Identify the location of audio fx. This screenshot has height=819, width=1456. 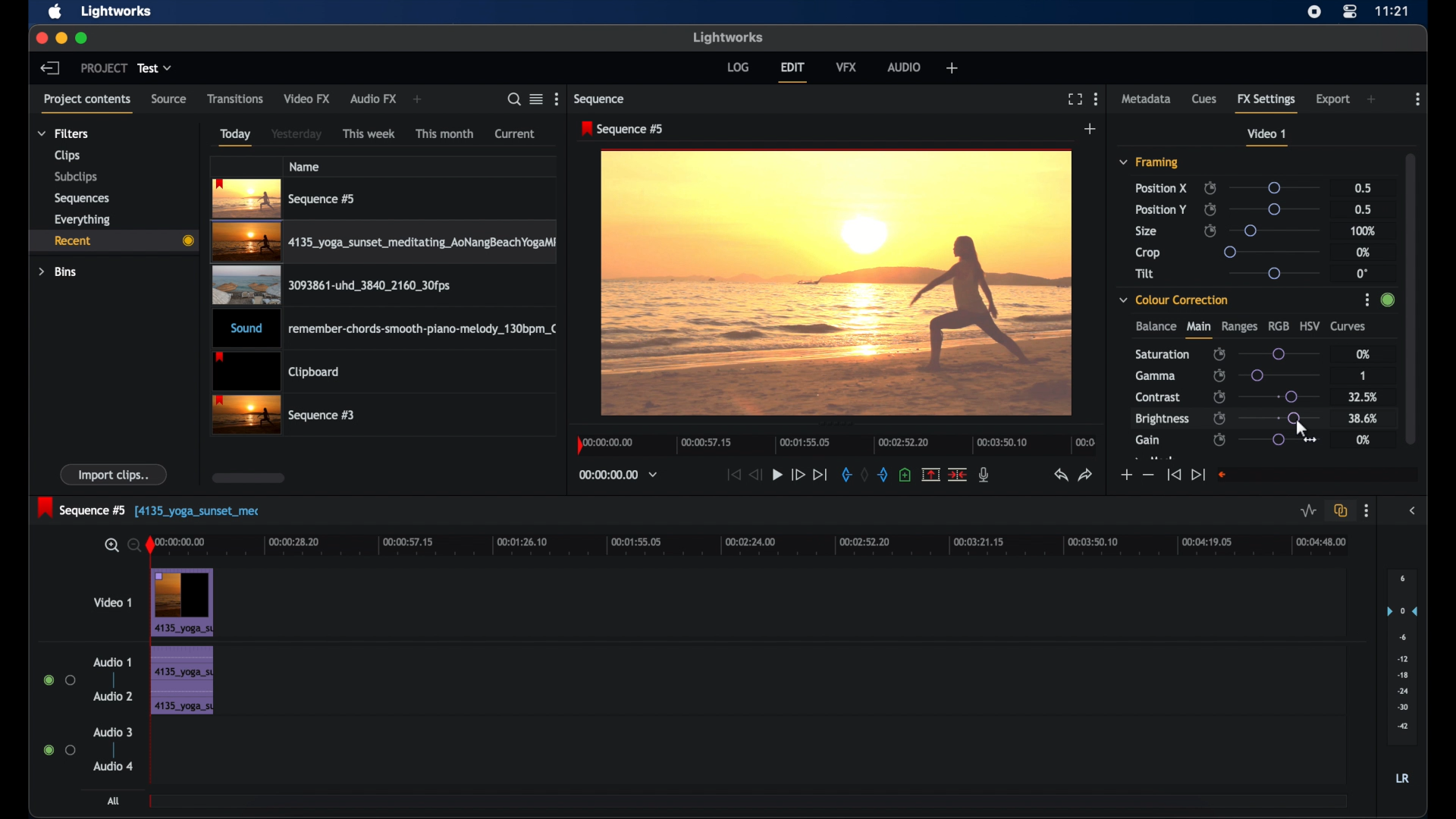
(373, 99).